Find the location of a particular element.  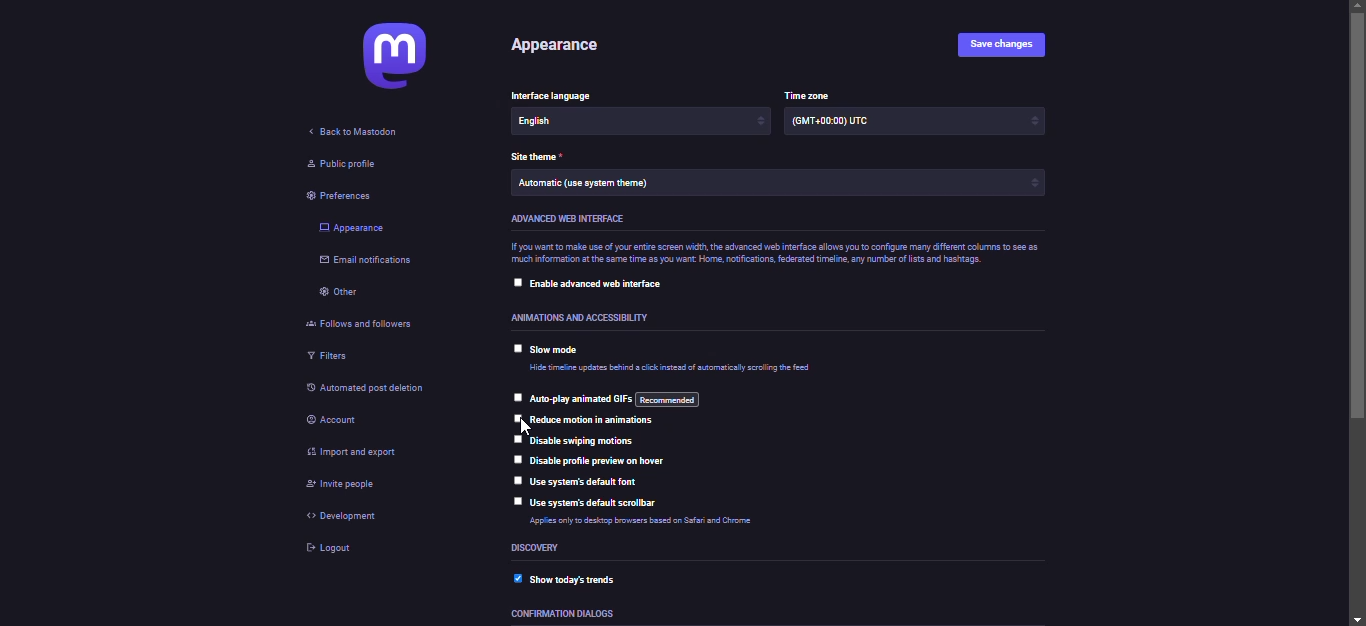

development is located at coordinates (351, 520).